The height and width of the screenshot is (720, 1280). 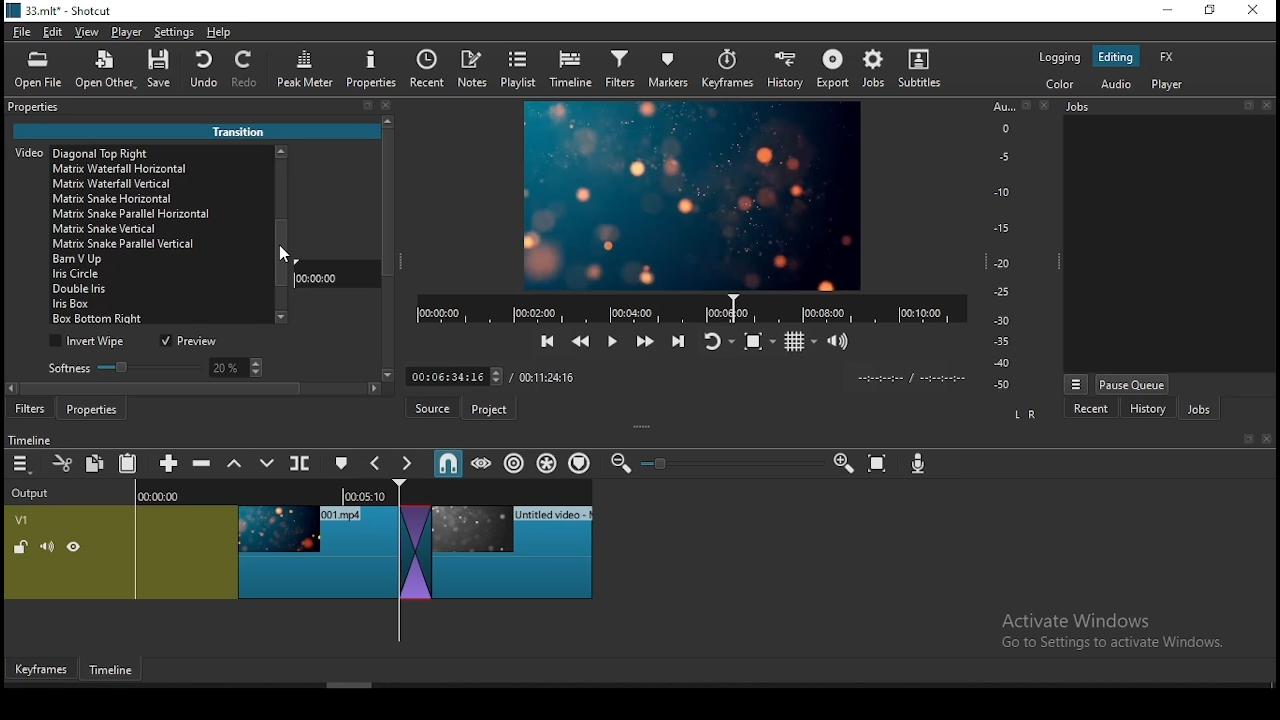 What do you see at coordinates (163, 72) in the screenshot?
I see `save` at bounding box center [163, 72].